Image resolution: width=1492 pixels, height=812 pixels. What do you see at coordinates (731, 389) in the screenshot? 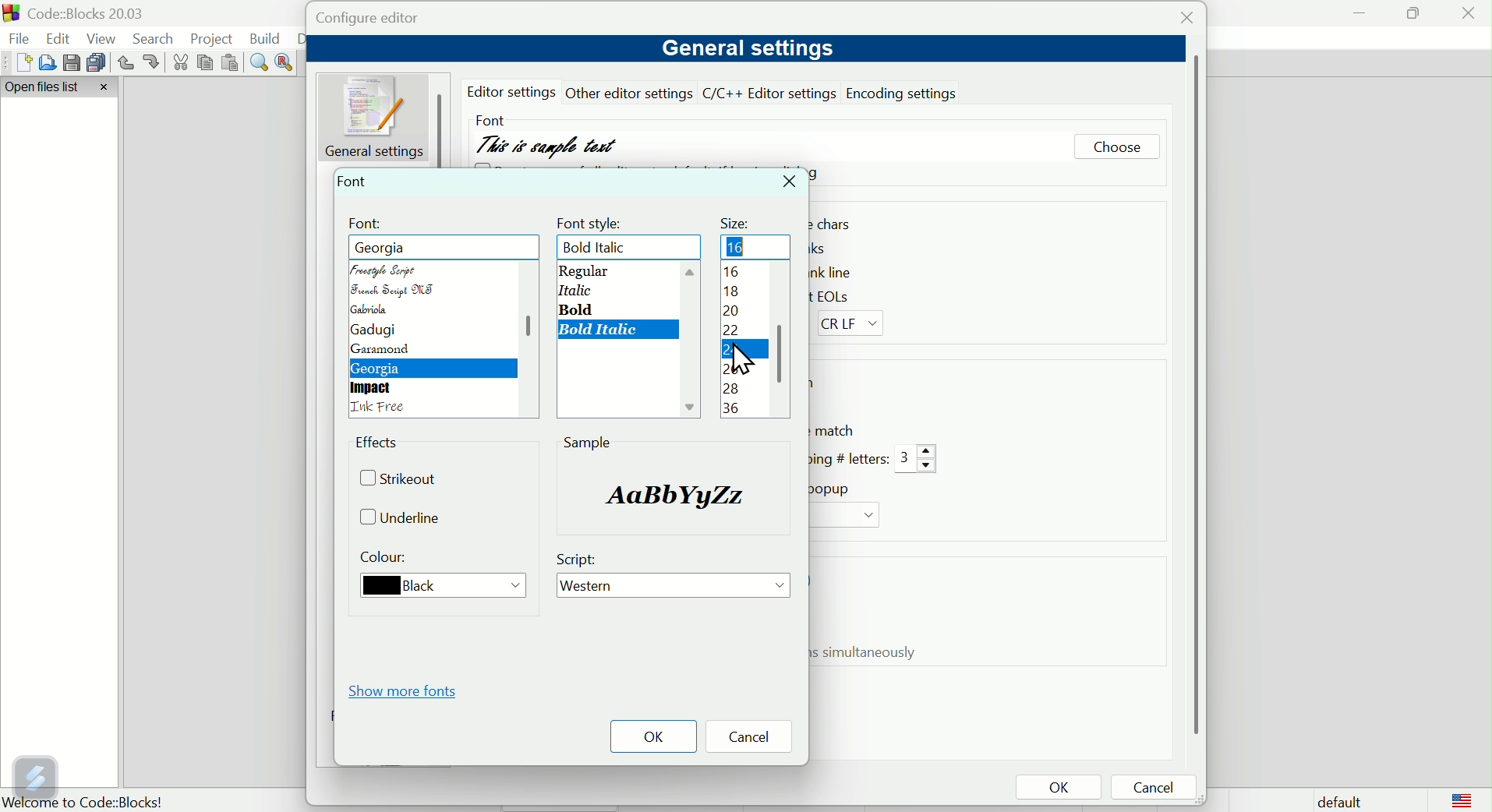
I see `28` at bounding box center [731, 389].